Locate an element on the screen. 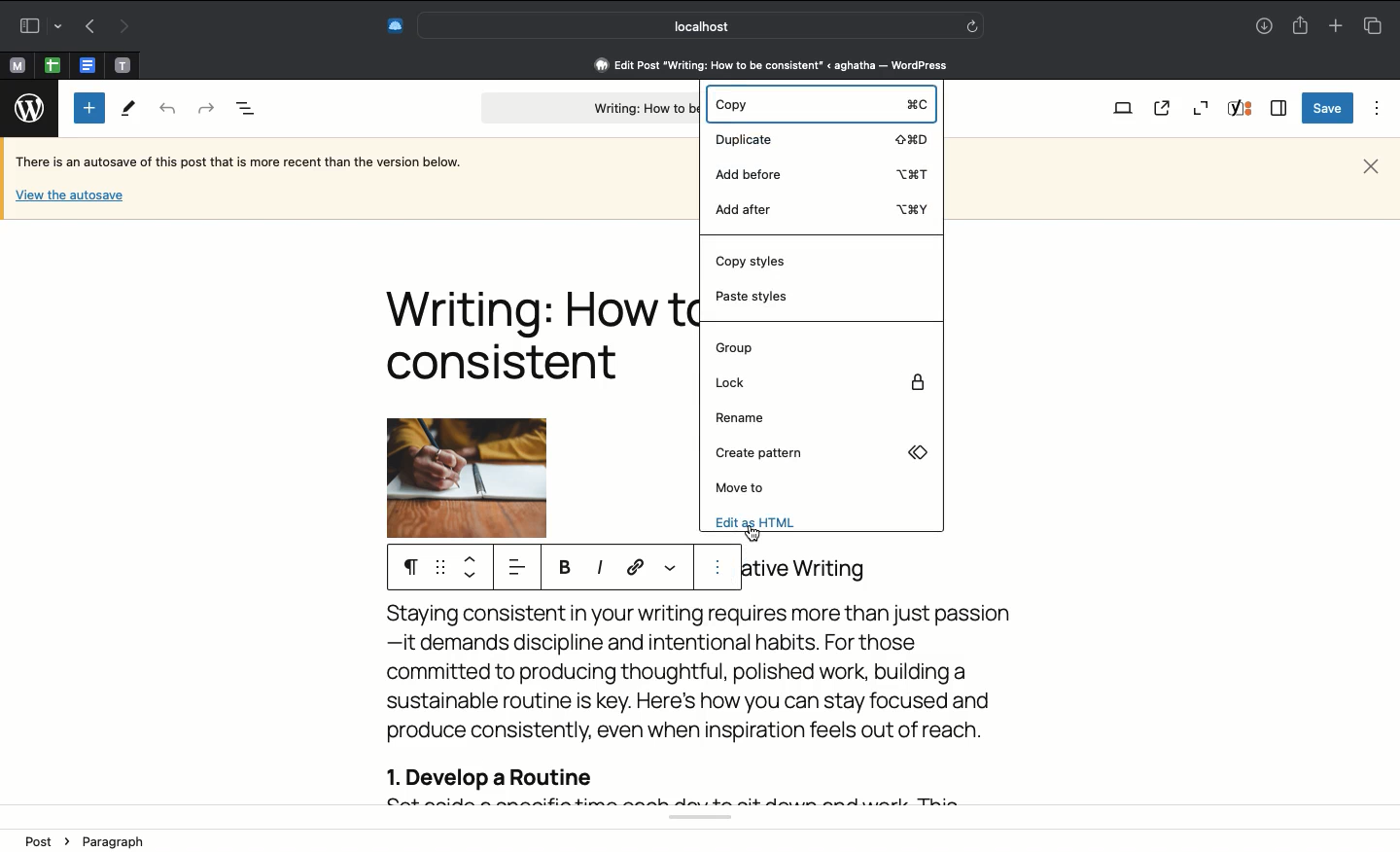  Save is located at coordinates (1325, 109).